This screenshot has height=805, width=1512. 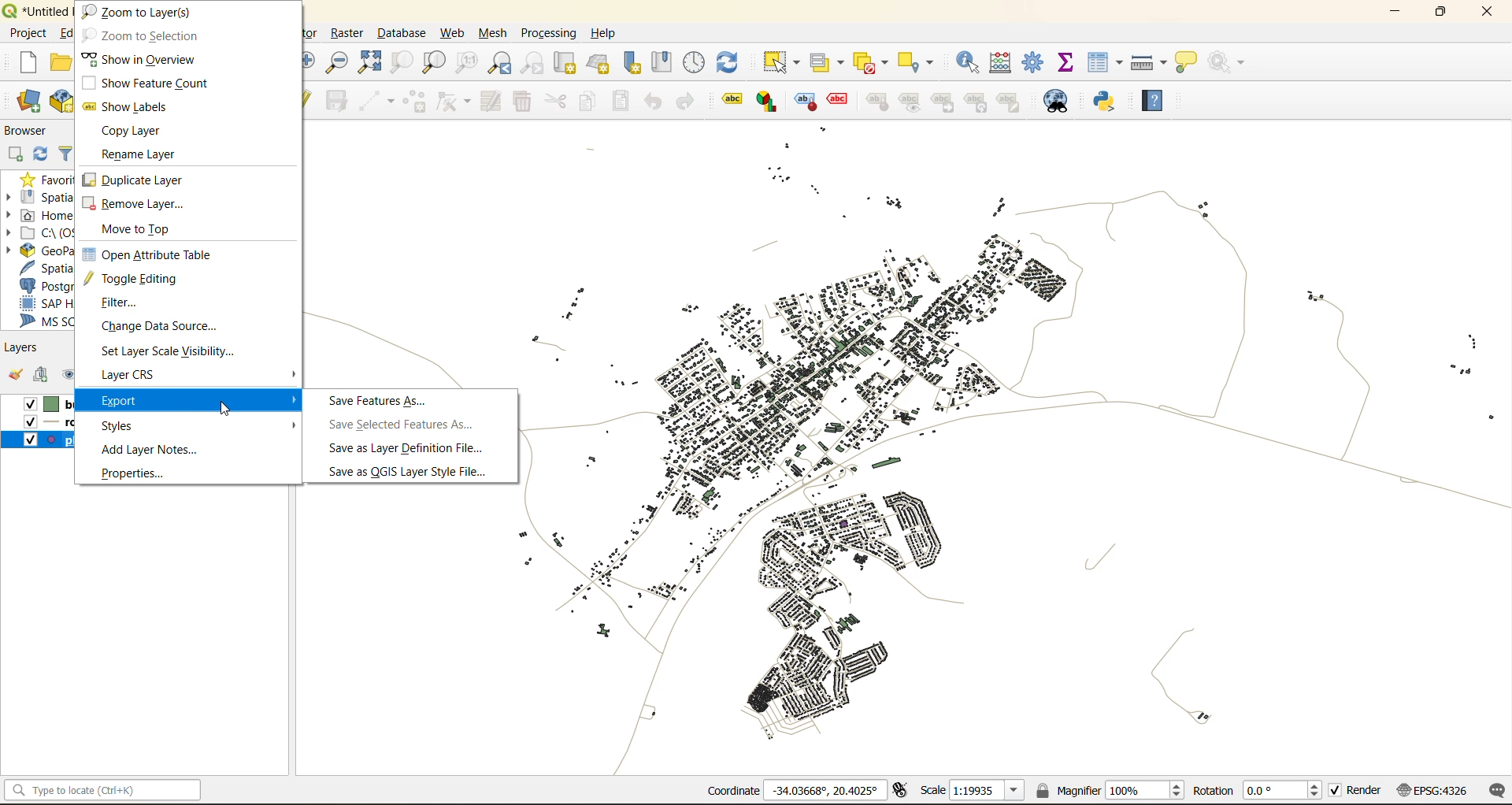 I want to click on open attribute table, so click(x=146, y=254).